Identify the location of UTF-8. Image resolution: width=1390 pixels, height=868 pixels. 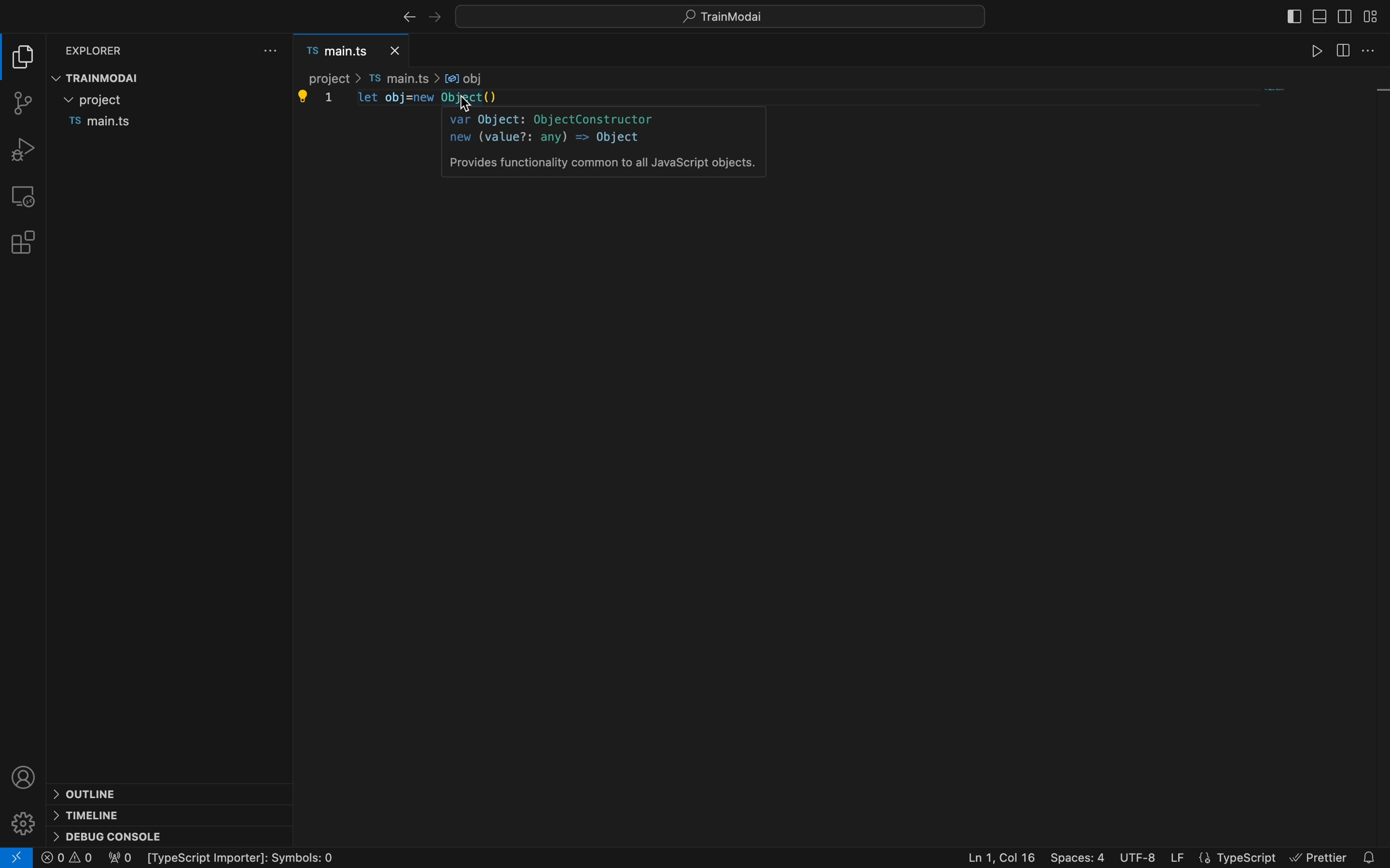
(1138, 856).